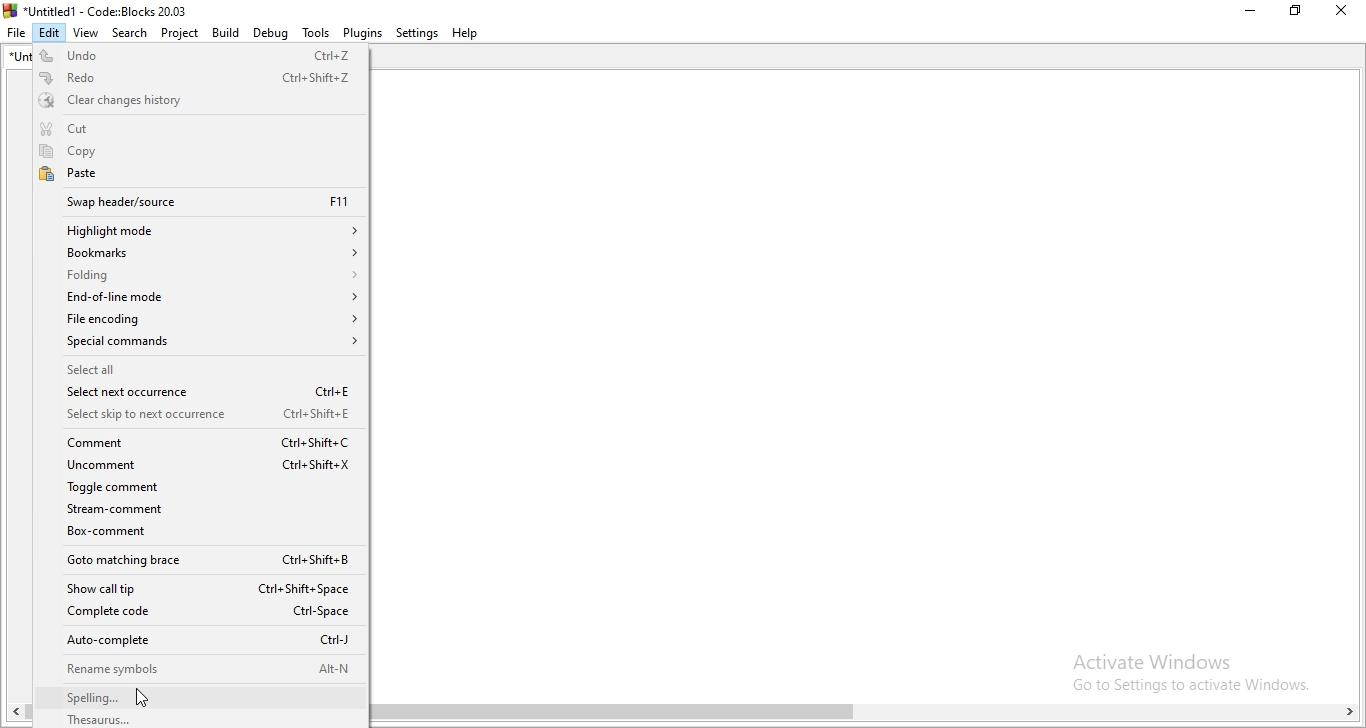 The height and width of the screenshot is (728, 1366). What do you see at coordinates (200, 54) in the screenshot?
I see `Undo` at bounding box center [200, 54].